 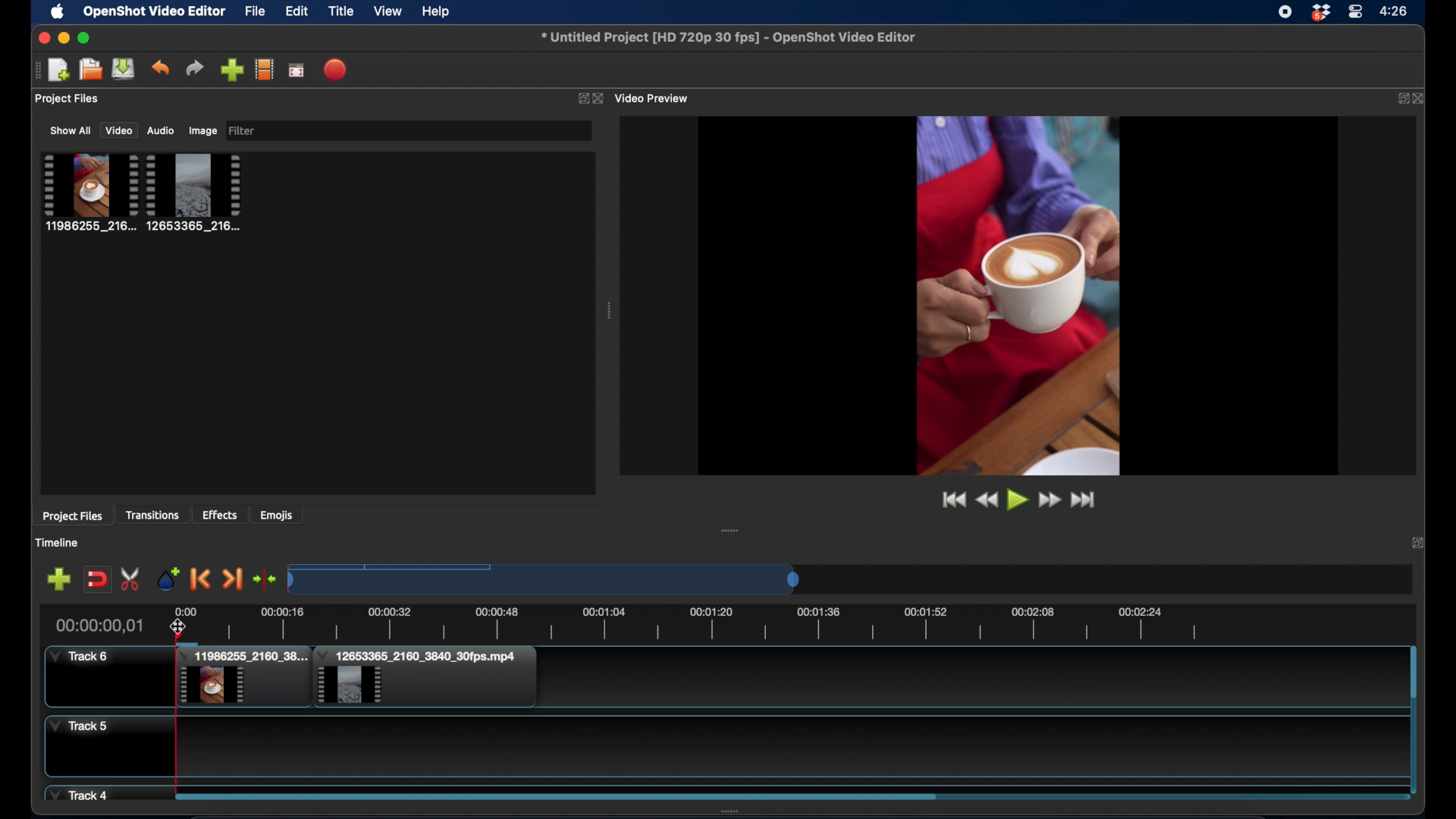 What do you see at coordinates (195, 192) in the screenshot?
I see `project file` at bounding box center [195, 192].